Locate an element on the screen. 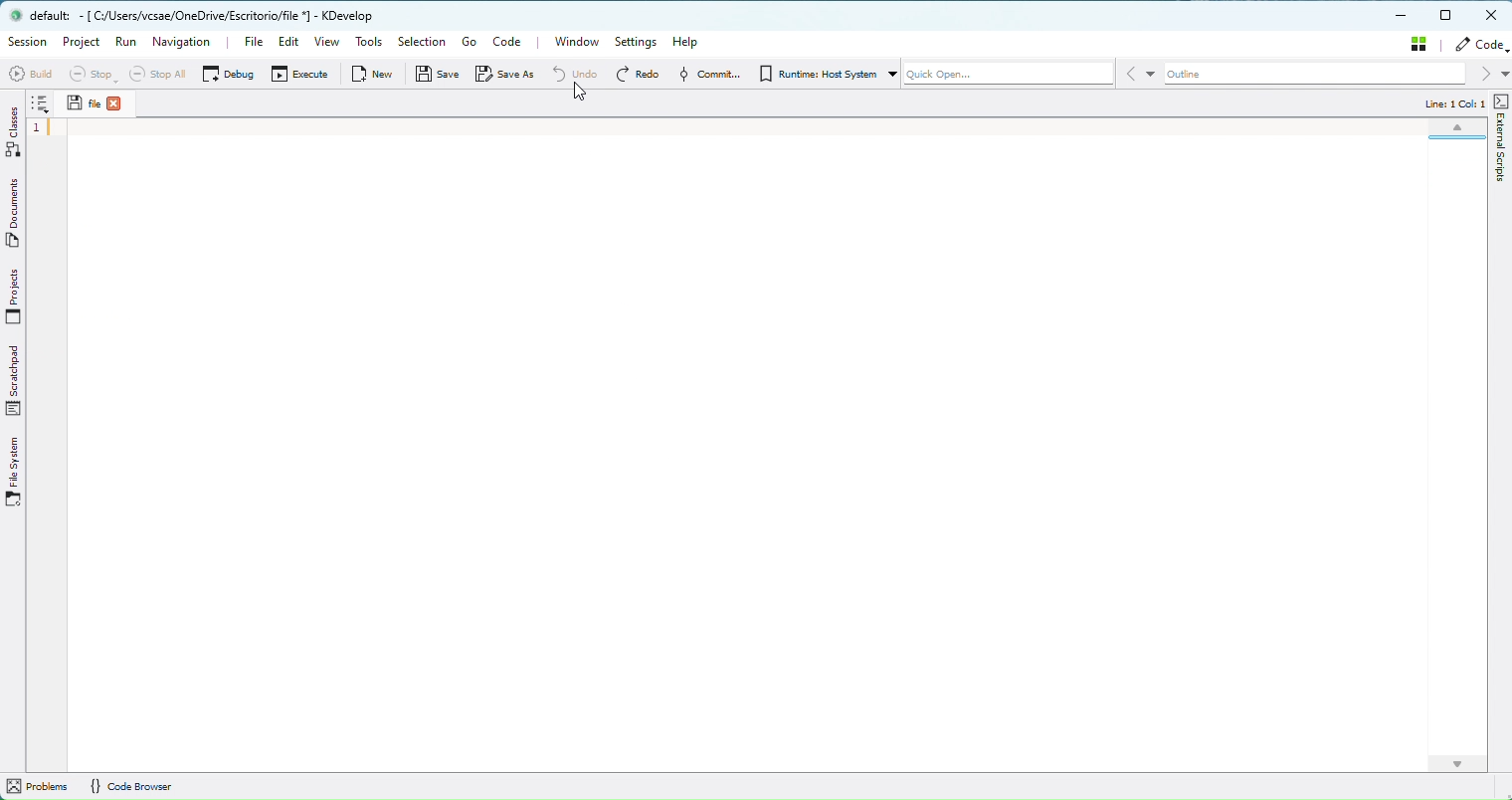 This screenshot has width=1512, height=800. New is located at coordinates (378, 78).